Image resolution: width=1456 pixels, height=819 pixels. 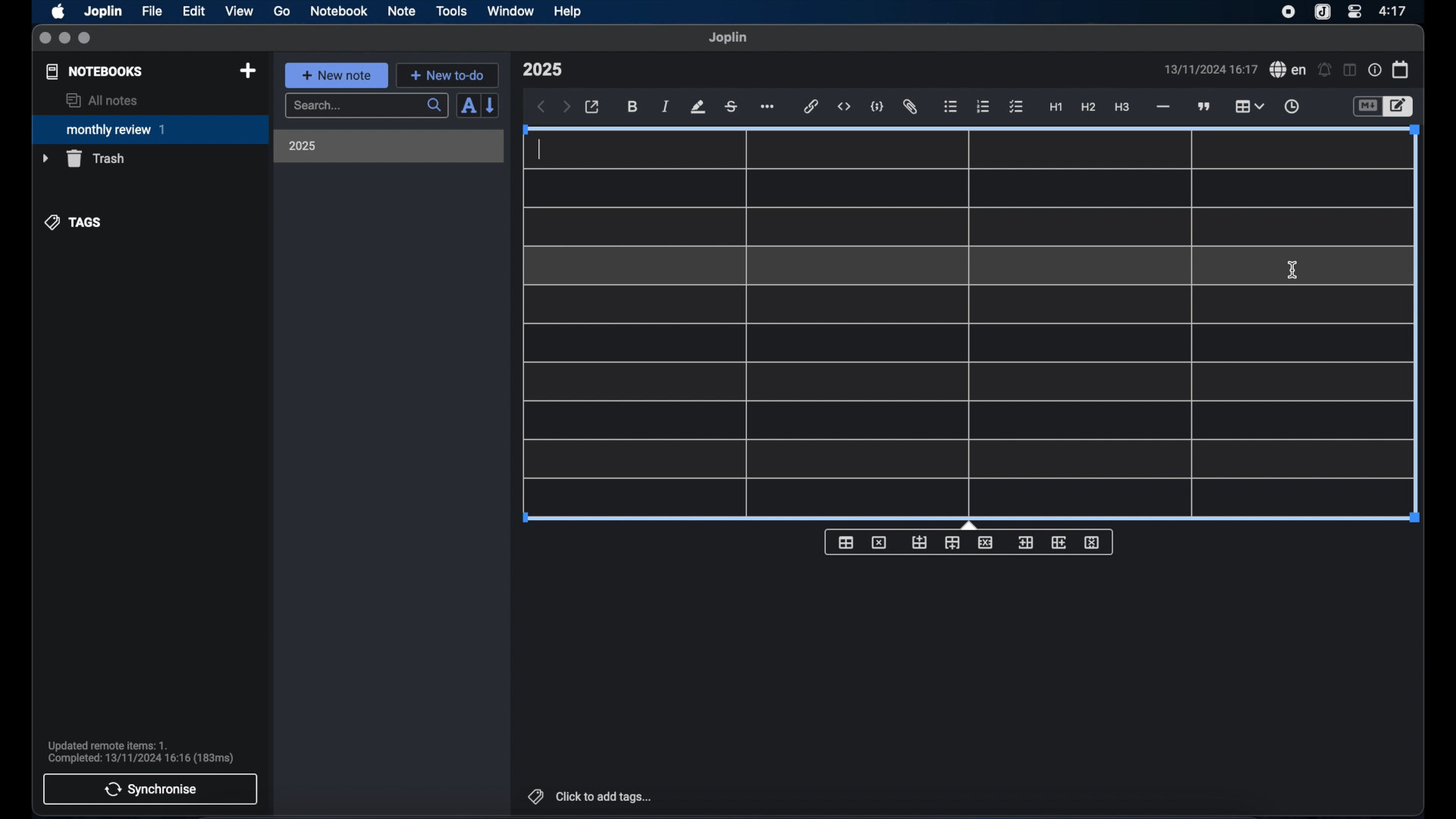 What do you see at coordinates (952, 543) in the screenshot?
I see `insert row after` at bounding box center [952, 543].